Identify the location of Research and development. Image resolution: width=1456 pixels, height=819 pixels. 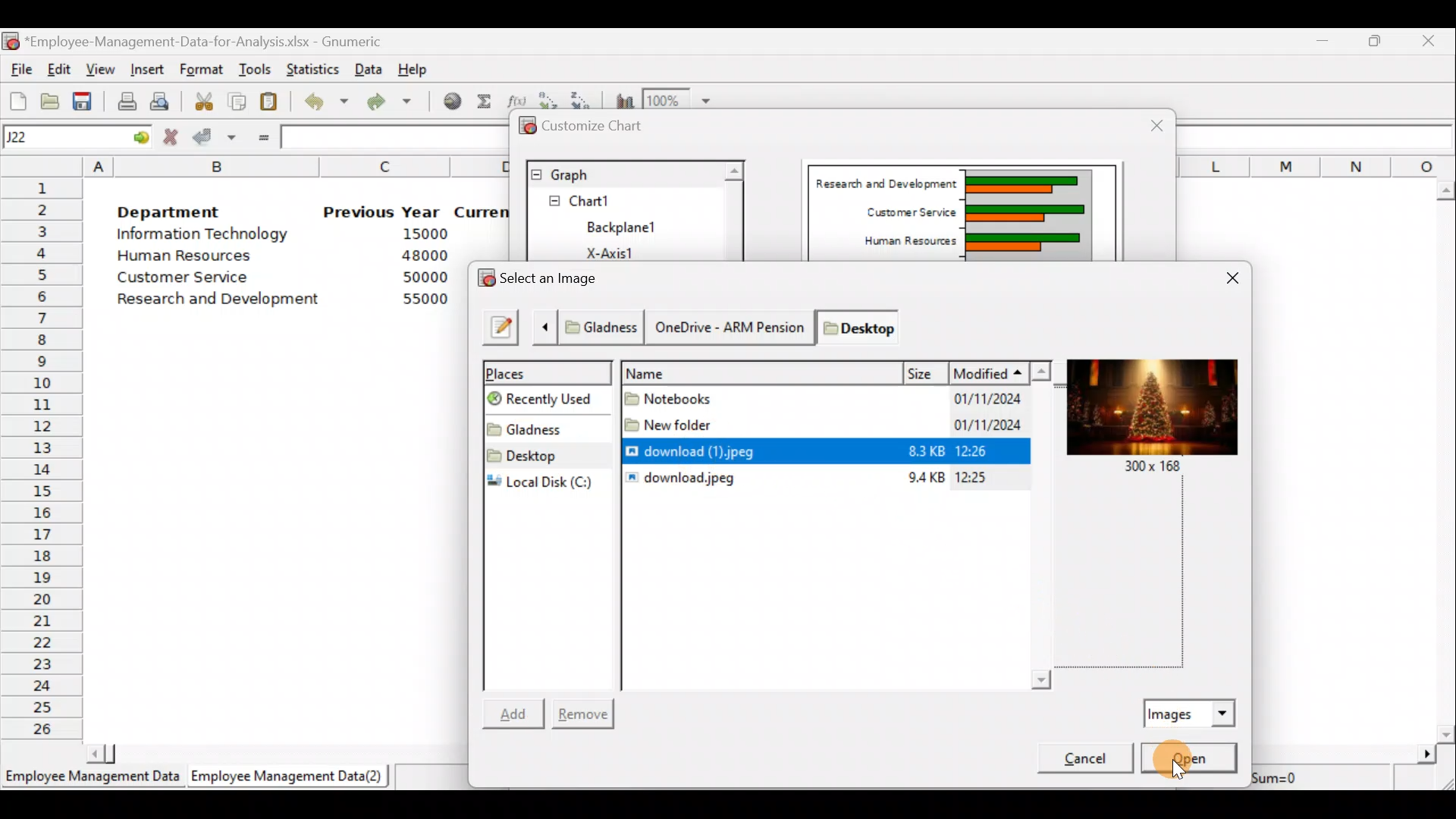
(219, 297).